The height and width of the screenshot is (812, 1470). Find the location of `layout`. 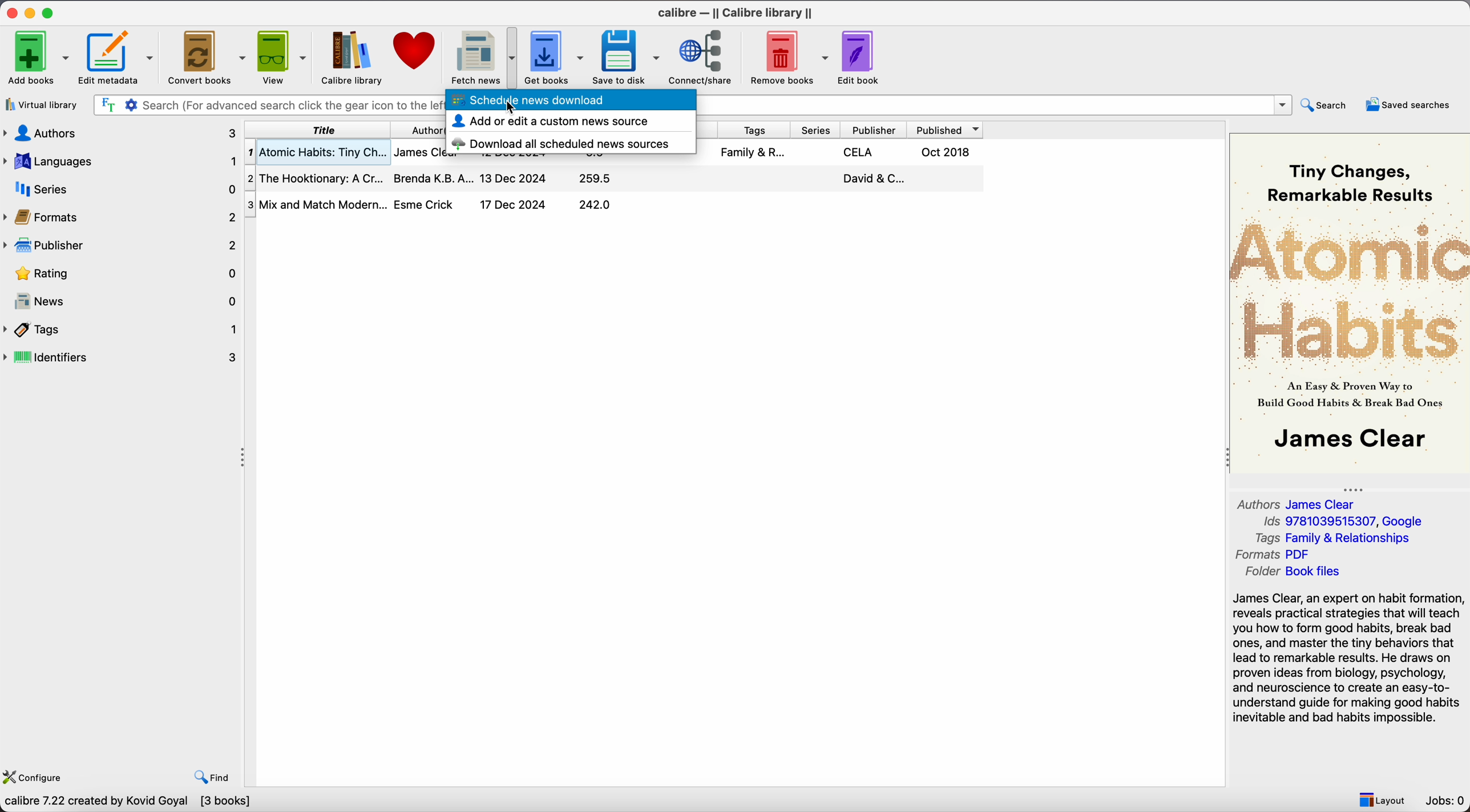

layout is located at coordinates (1381, 798).